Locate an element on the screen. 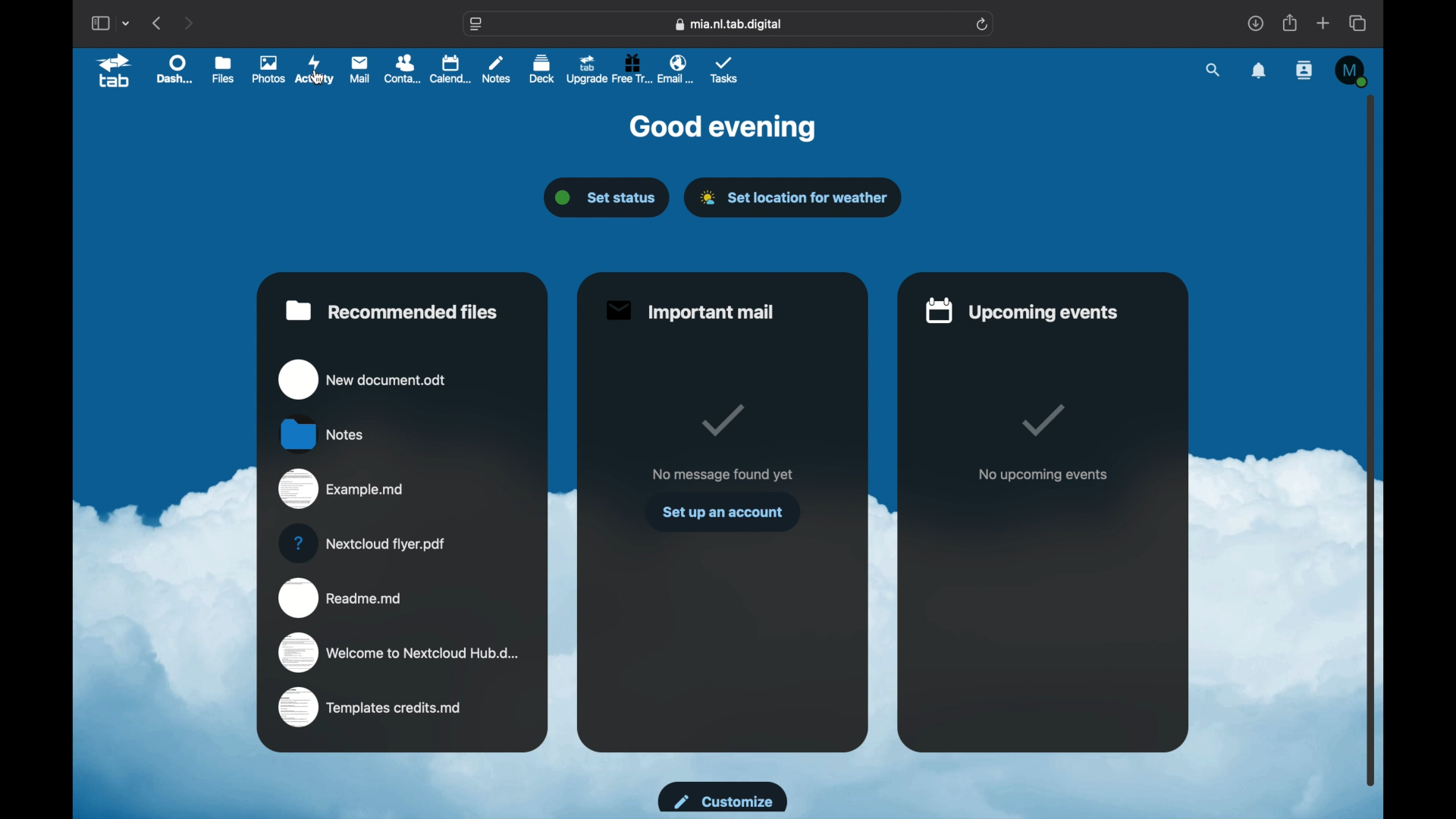  tick mark is located at coordinates (1040, 420).